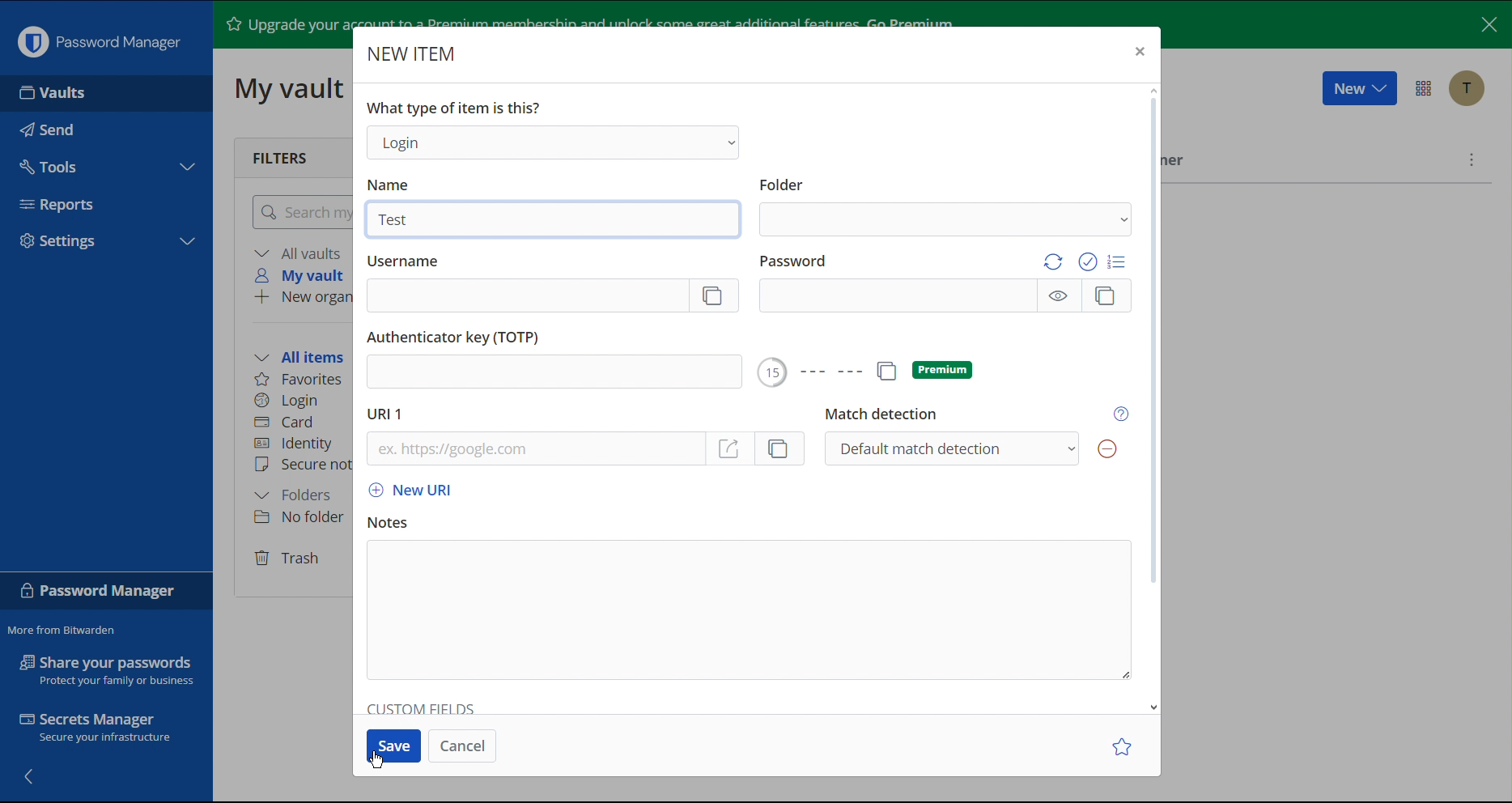 The height and width of the screenshot is (803, 1512). Describe the element at coordinates (549, 284) in the screenshot. I see `Username` at that location.